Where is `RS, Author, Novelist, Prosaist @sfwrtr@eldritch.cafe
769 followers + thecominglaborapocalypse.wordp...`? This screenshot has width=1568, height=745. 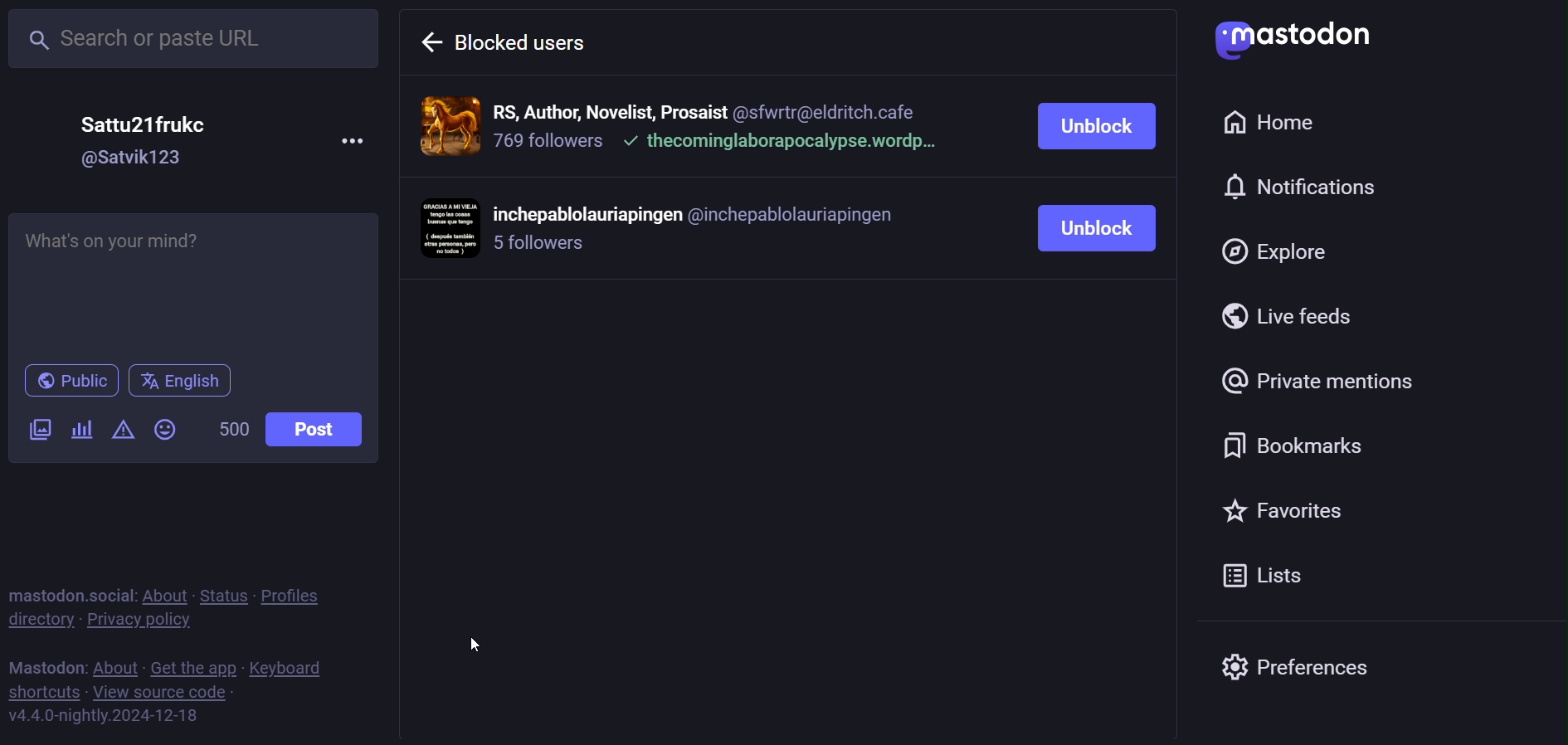 RS, Author, Novelist, Prosaist @sfwrtr@eldritch.cafe
769 followers + thecominglaborapocalypse.wordp... is located at coordinates (719, 125).